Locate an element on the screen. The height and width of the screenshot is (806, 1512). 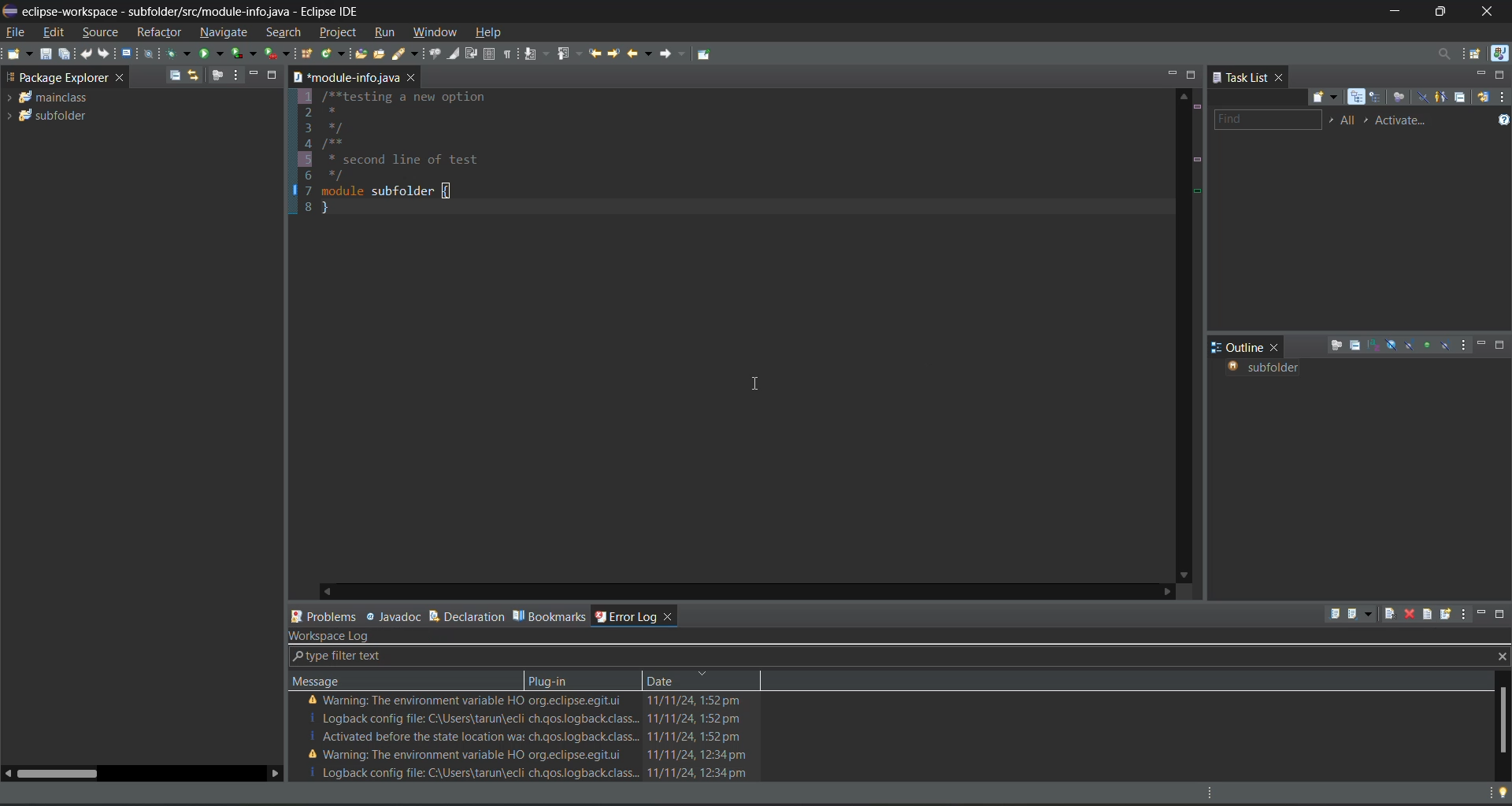
collapse all is located at coordinates (1357, 346).